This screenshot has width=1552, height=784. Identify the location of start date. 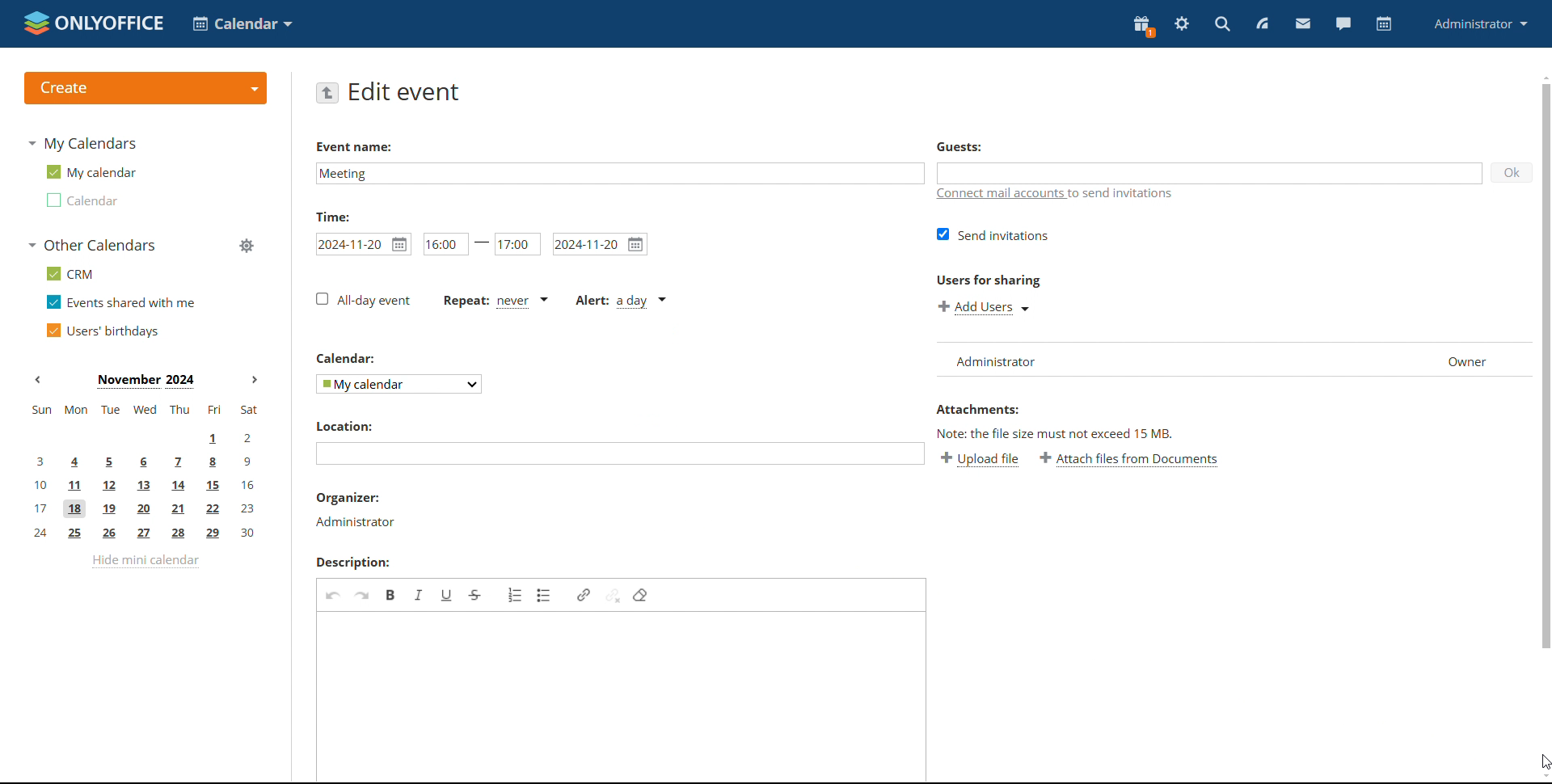
(363, 245).